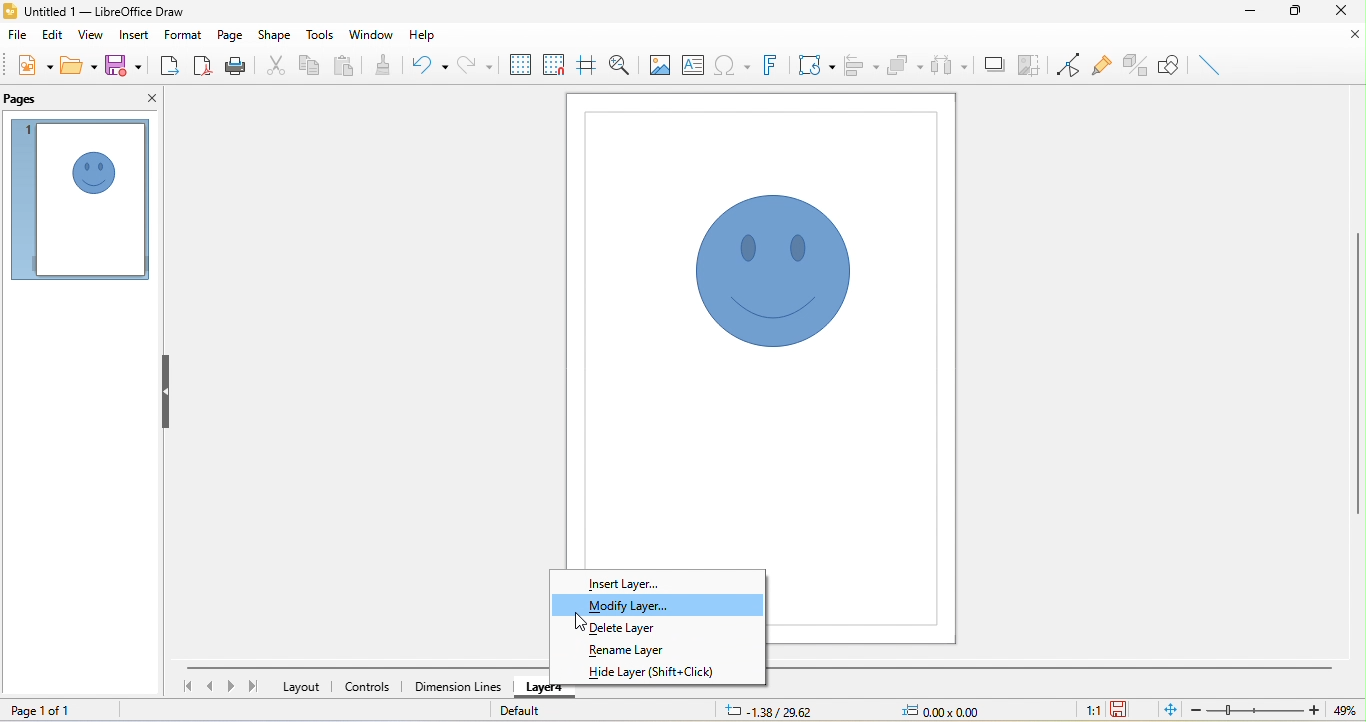 This screenshot has height=722, width=1366. Describe the element at coordinates (79, 200) in the screenshot. I see `page 1` at that location.